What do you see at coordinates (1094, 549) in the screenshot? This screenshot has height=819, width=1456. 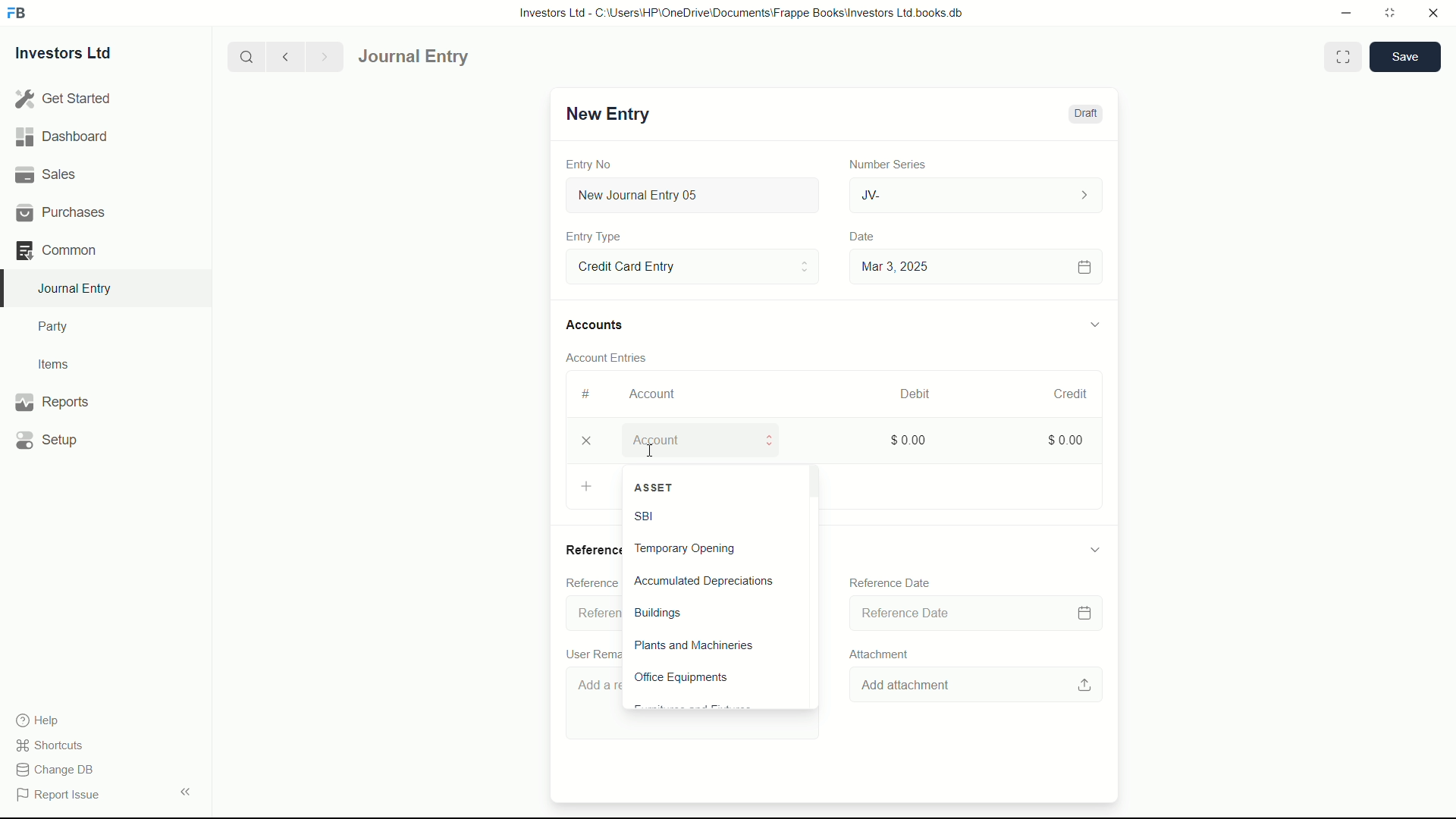 I see `expand/collapse` at bounding box center [1094, 549].